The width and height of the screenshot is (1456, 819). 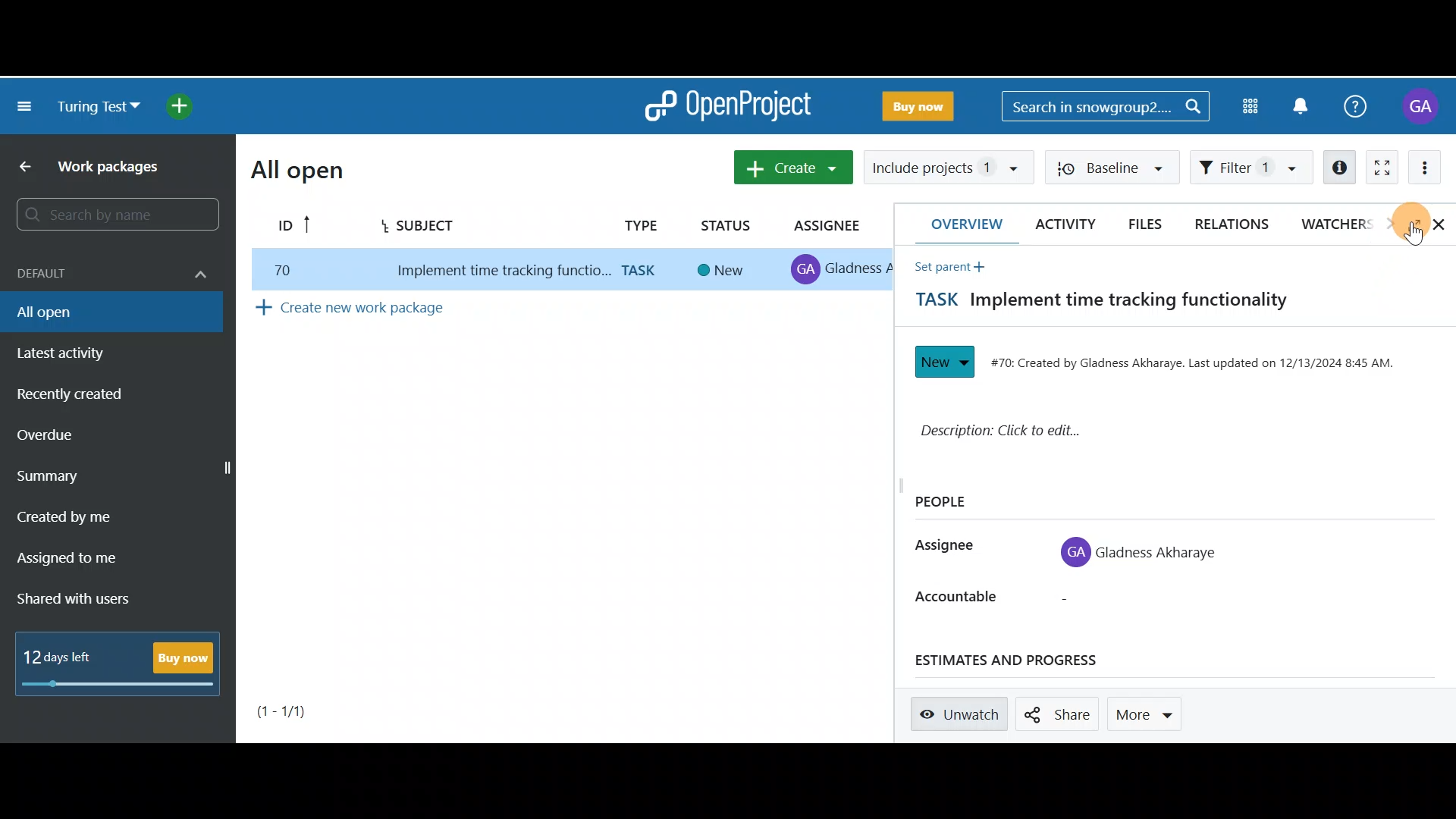 I want to click on Work packages, so click(x=115, y=170).